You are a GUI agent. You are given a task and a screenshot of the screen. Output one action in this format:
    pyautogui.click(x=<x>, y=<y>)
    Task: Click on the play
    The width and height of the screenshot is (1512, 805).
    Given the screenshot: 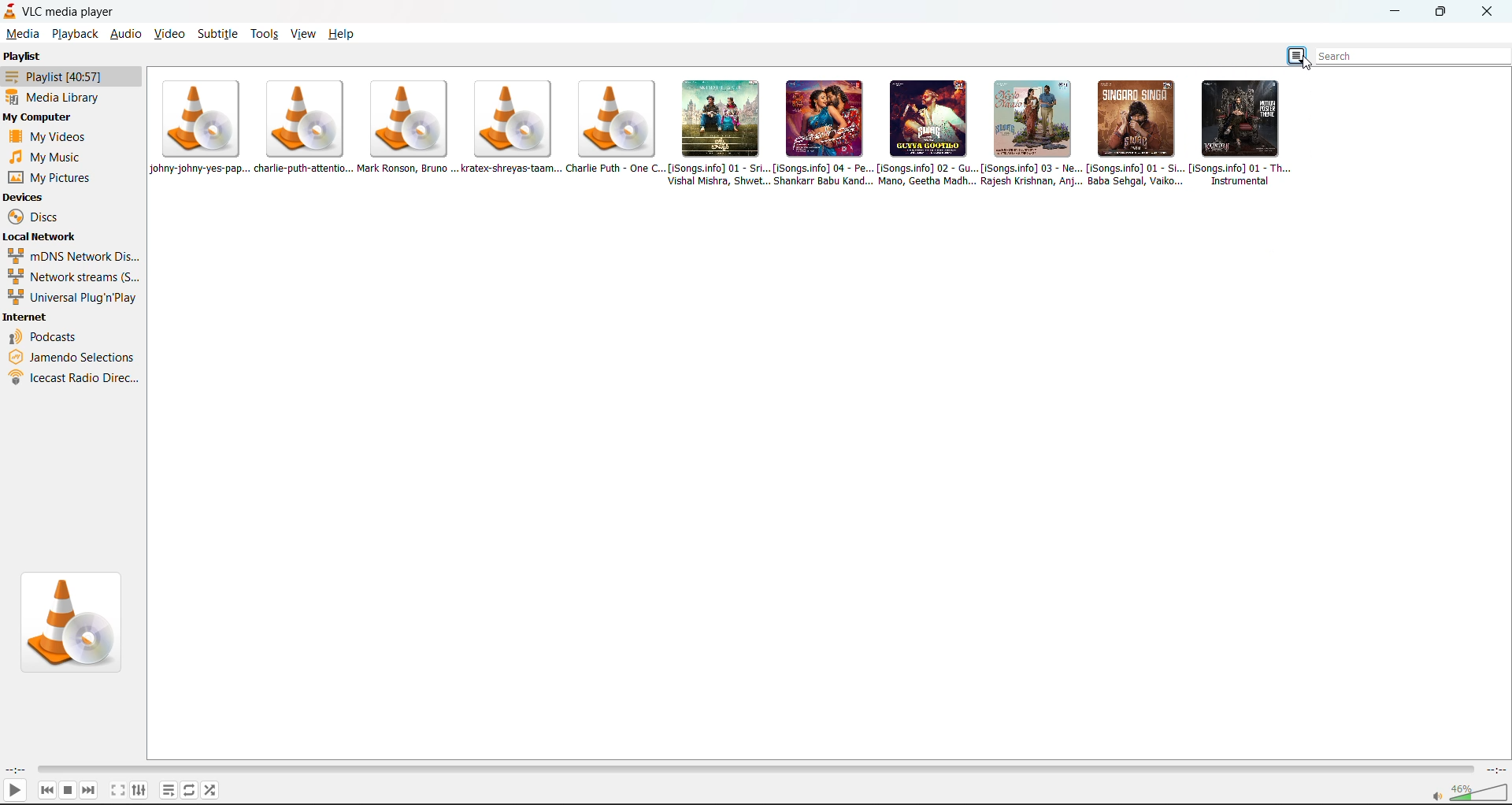 What is the action you would take?
    pyautogui.click(x=14, y=792)
    